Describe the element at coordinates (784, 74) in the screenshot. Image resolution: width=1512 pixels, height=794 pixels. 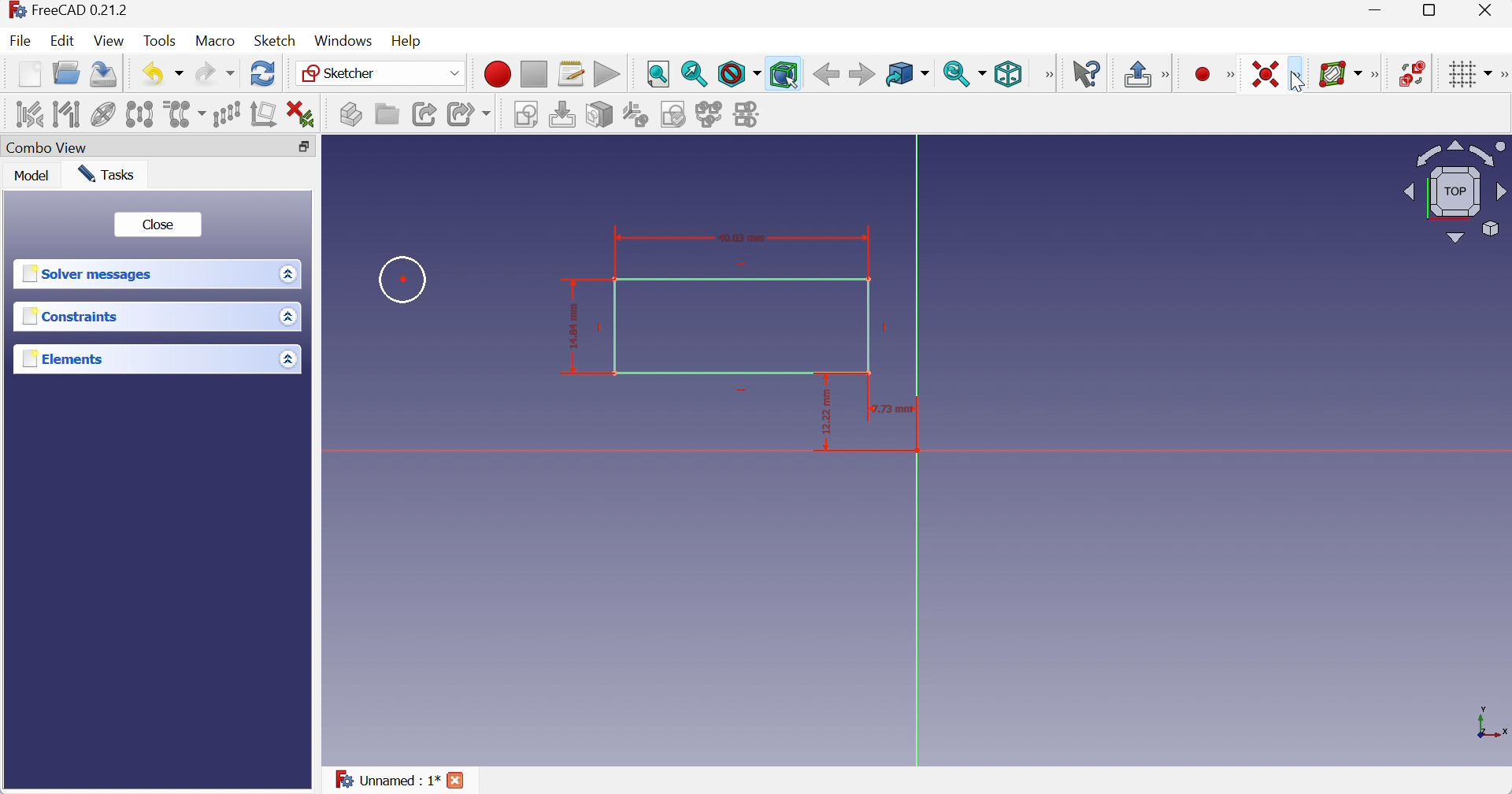
I see `Bounding box` at that location.